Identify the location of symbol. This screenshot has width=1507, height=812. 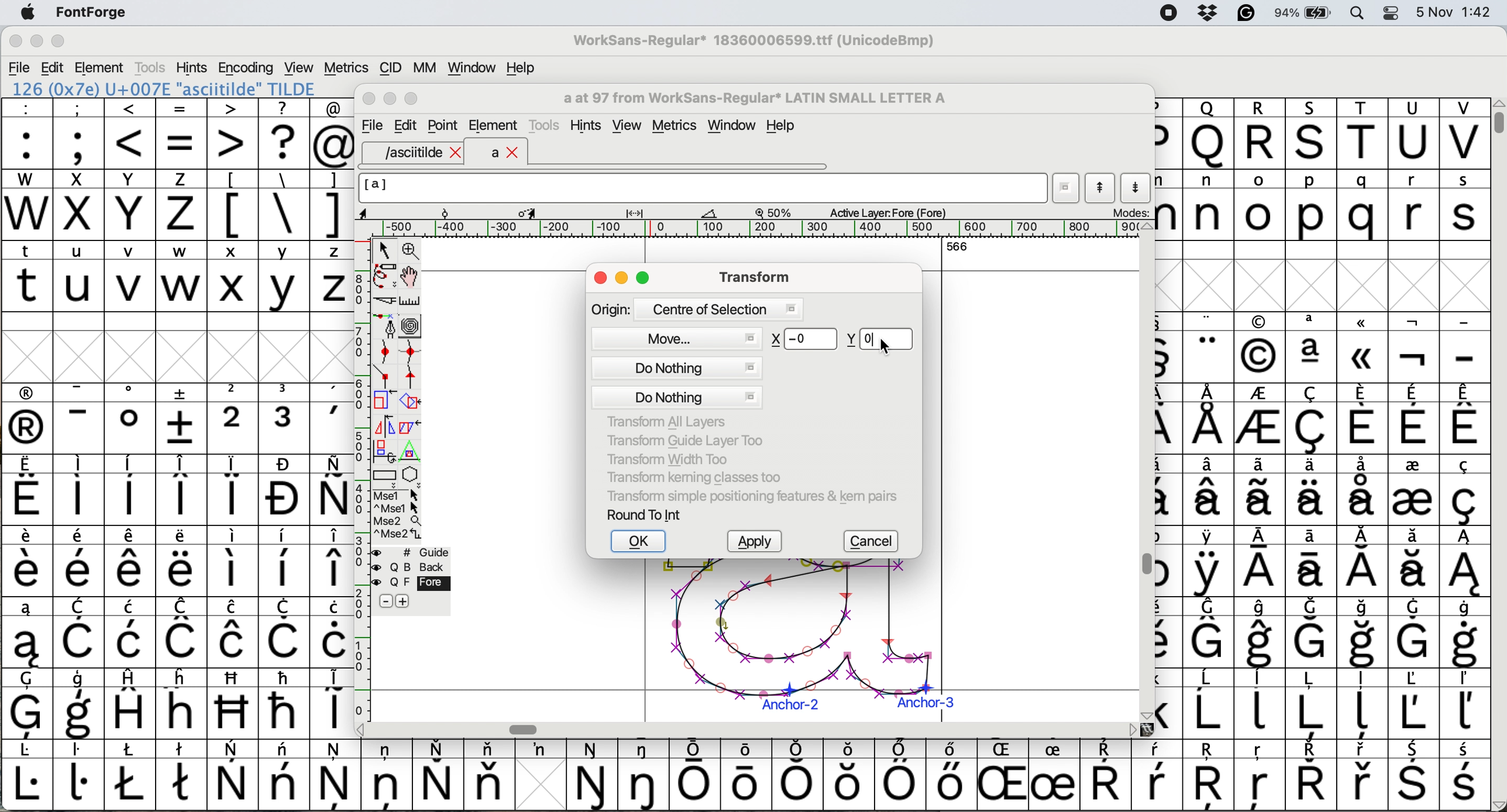
(285, 775).